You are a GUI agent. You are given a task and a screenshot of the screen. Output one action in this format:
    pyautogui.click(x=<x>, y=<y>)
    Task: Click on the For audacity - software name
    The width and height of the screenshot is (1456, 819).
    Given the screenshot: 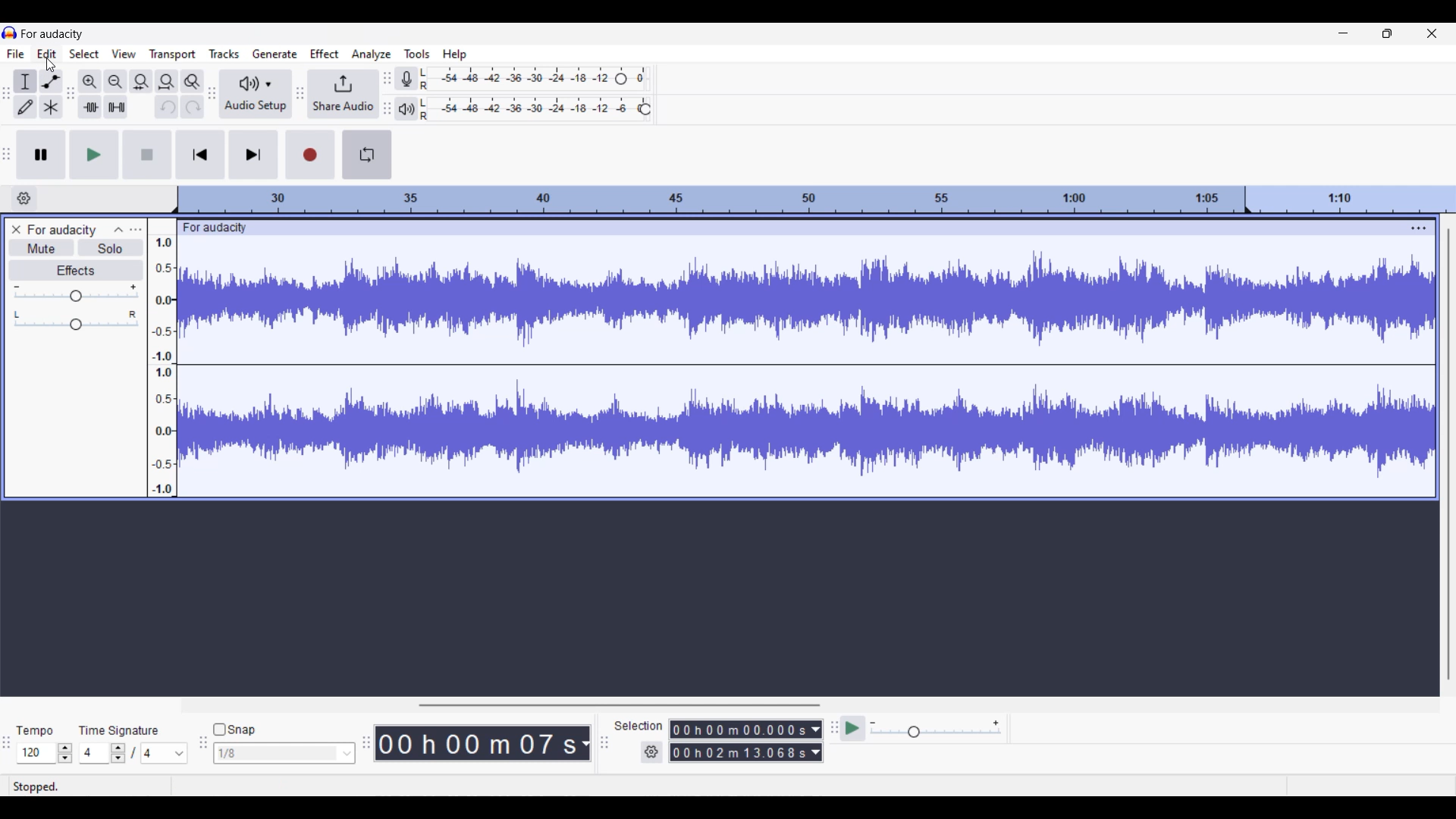 What is the action you would take?
    pyautogui.click(x=58, y=33)
    